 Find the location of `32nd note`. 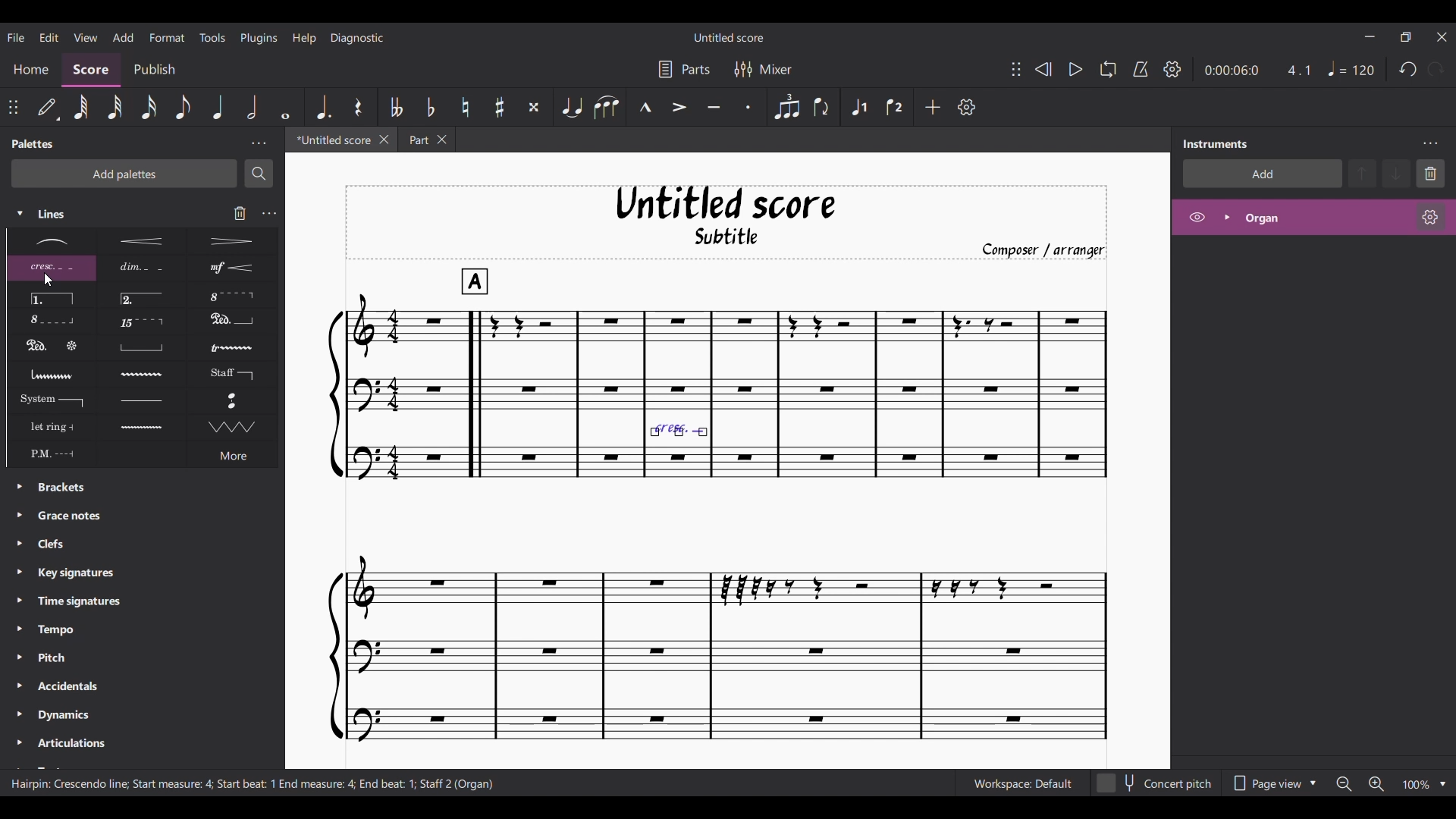

32nd note is located at coordinates (115, 108).